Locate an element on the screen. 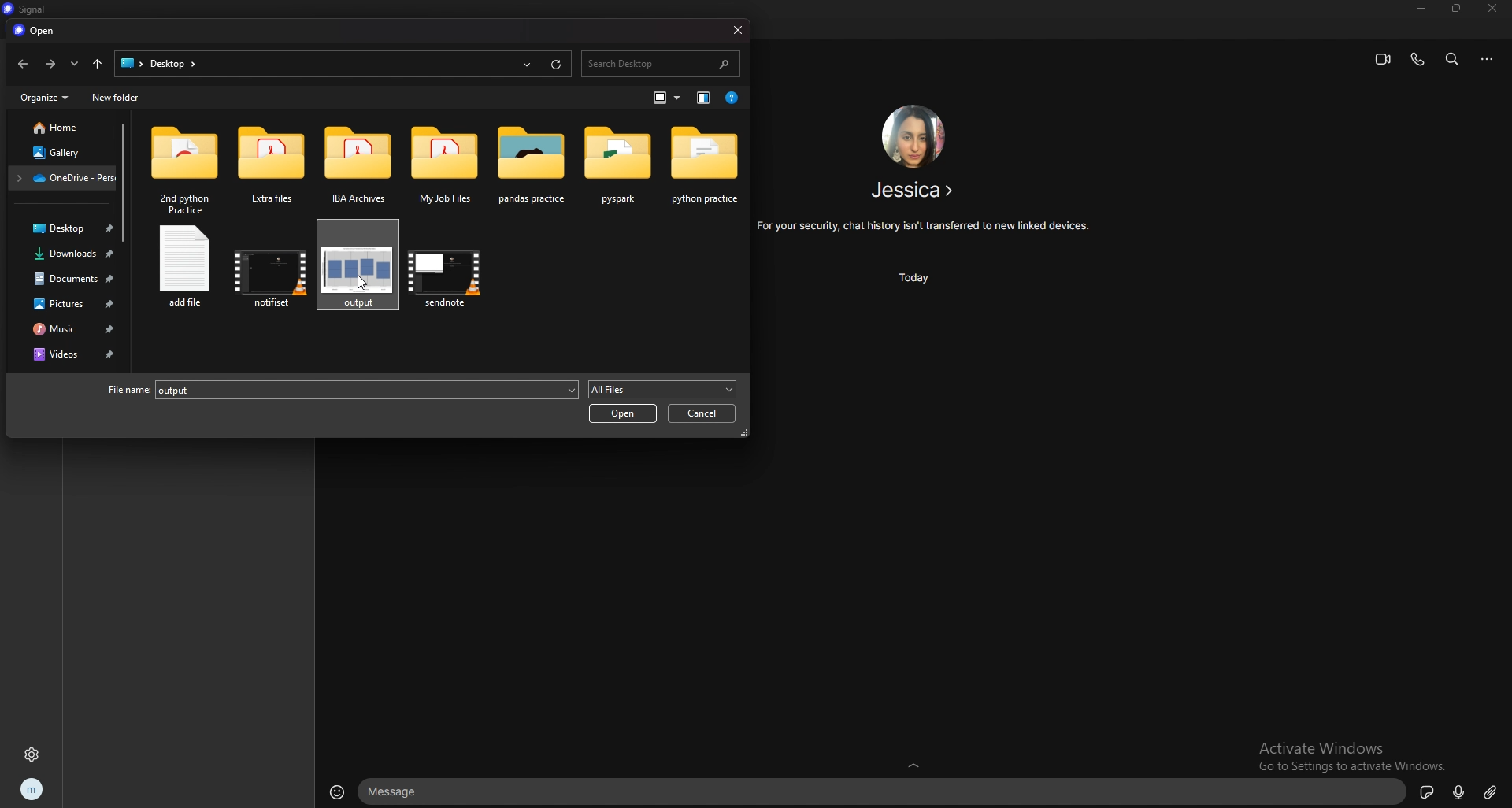 The height and width of the screenshot is (808, 1512). folder is located at coordinates (706, 164).